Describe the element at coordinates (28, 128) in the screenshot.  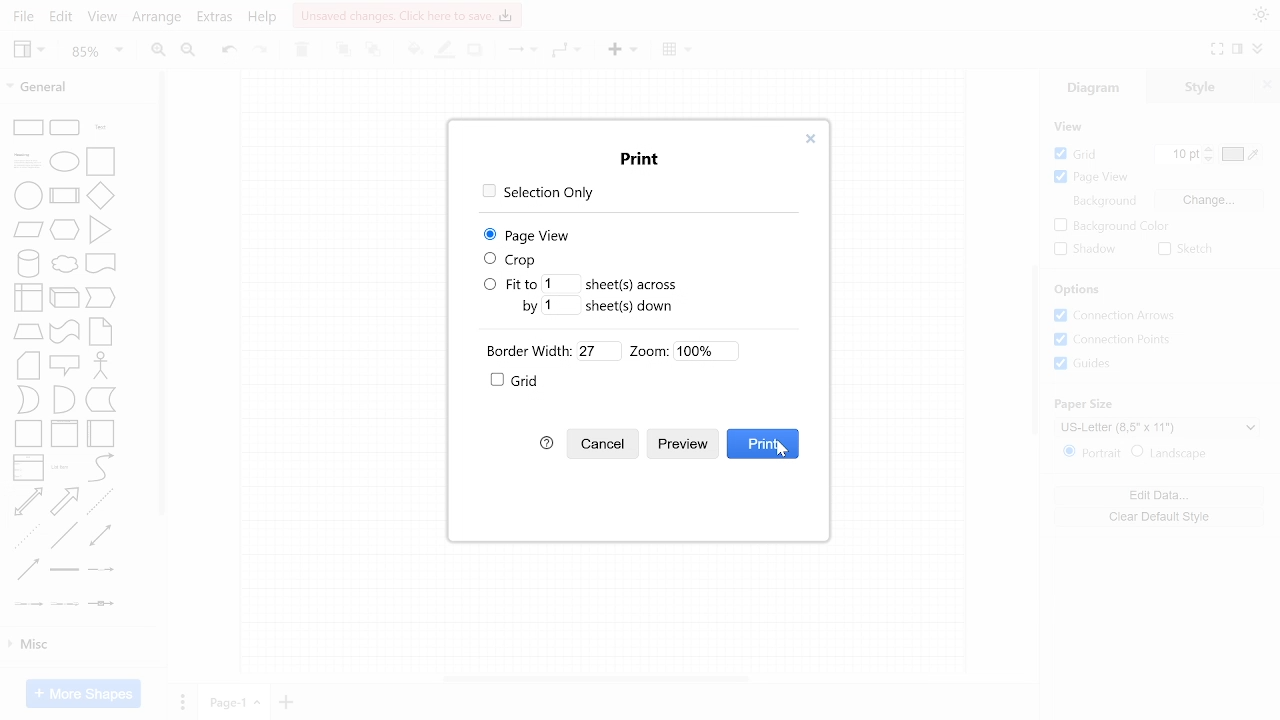
I see `Rectangle` at that location.